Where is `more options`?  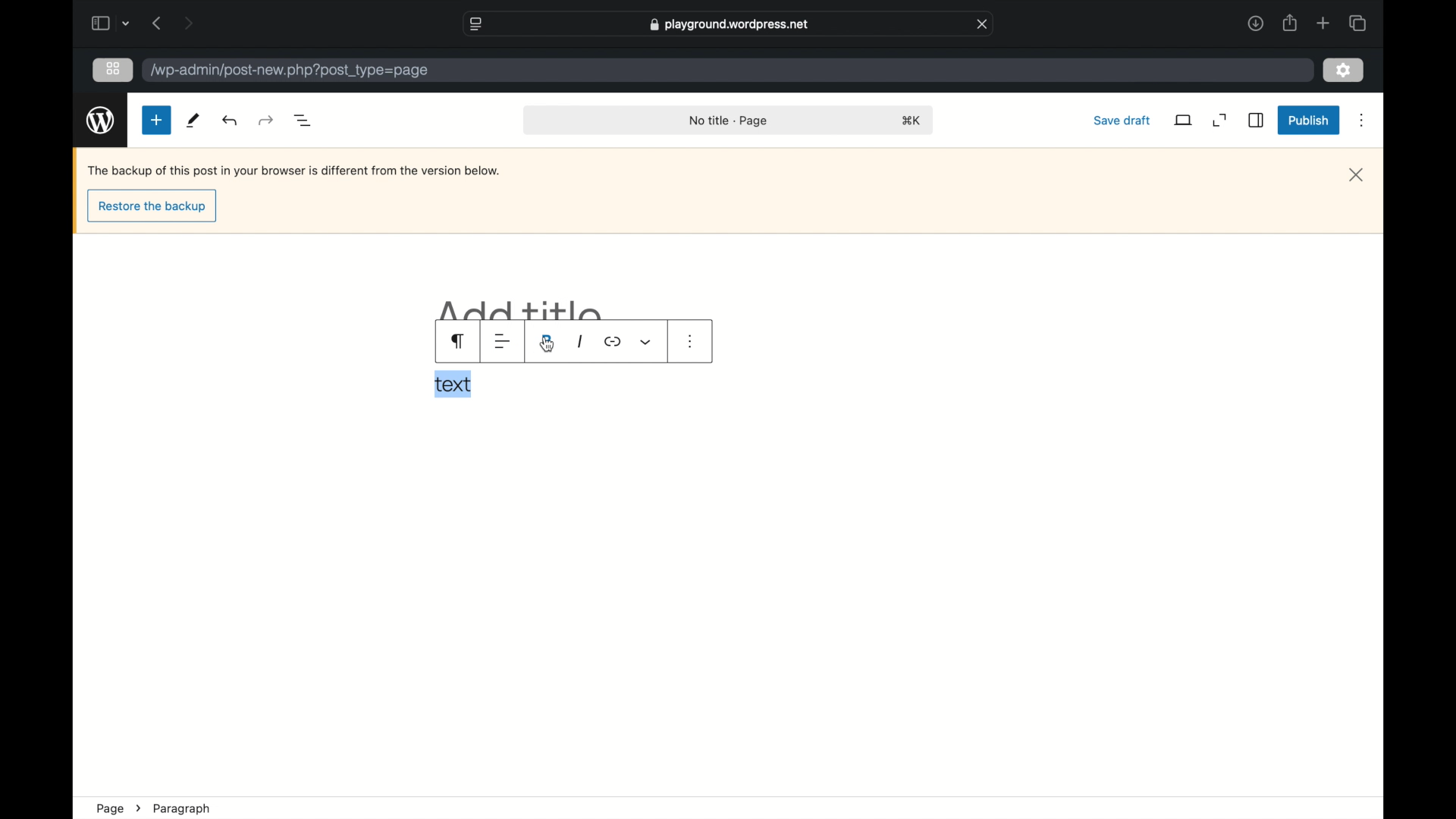
more options is located at coordinates (1363, 121).